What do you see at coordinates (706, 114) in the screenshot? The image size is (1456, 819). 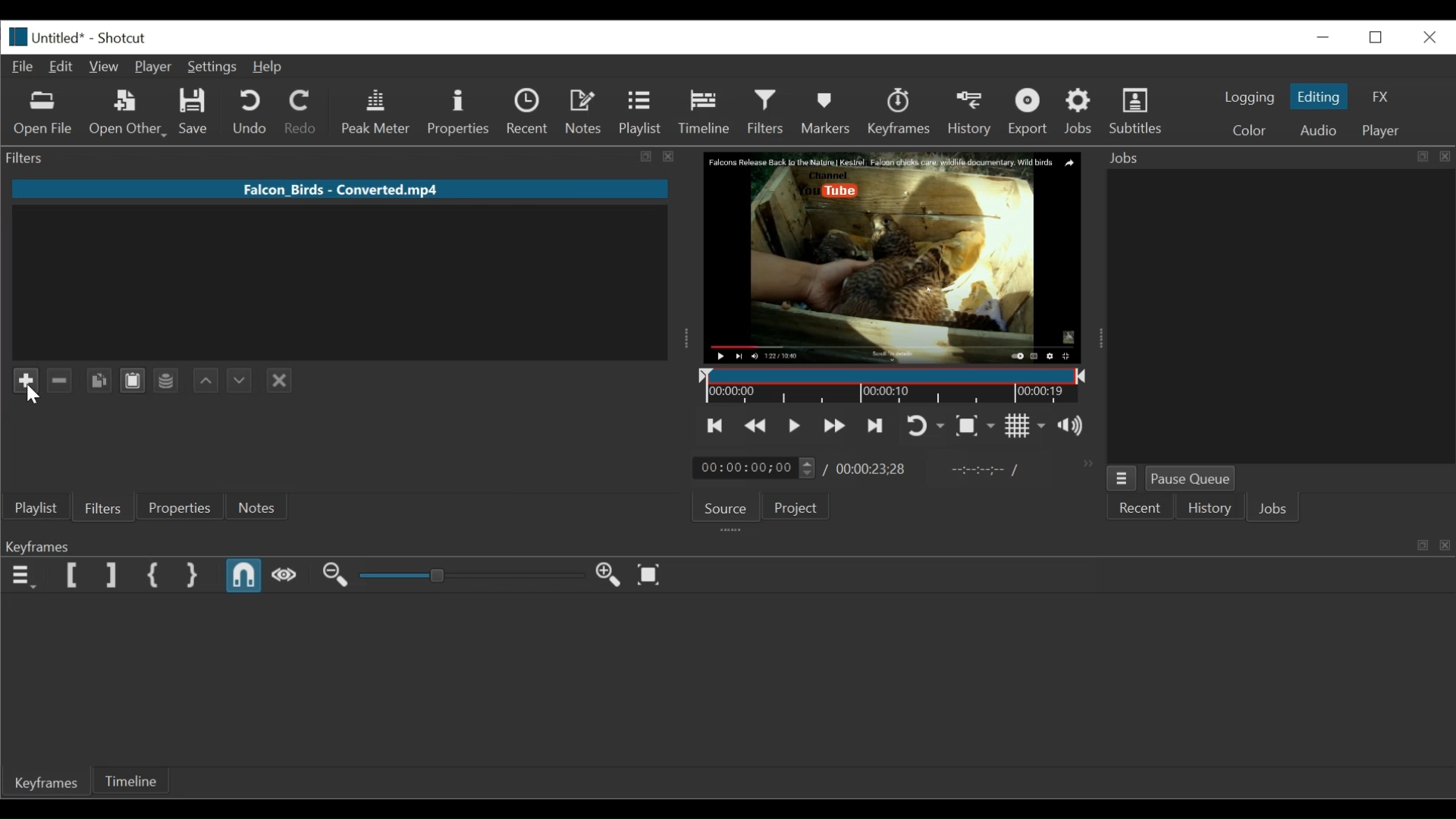 I see `Timeline` at bounding box center [706, 114].